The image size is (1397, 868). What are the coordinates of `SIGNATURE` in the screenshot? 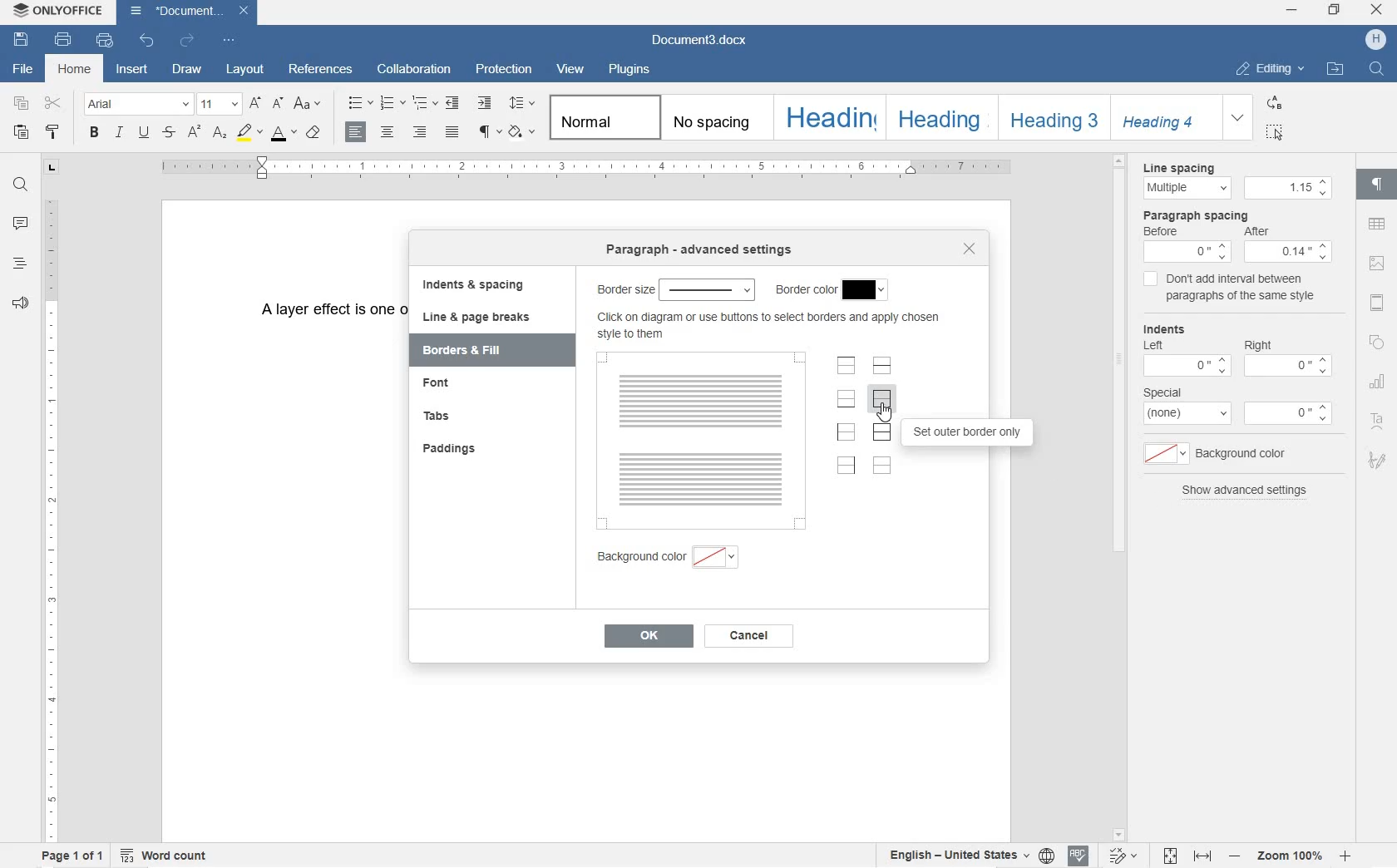 It's located at (1380, 460).